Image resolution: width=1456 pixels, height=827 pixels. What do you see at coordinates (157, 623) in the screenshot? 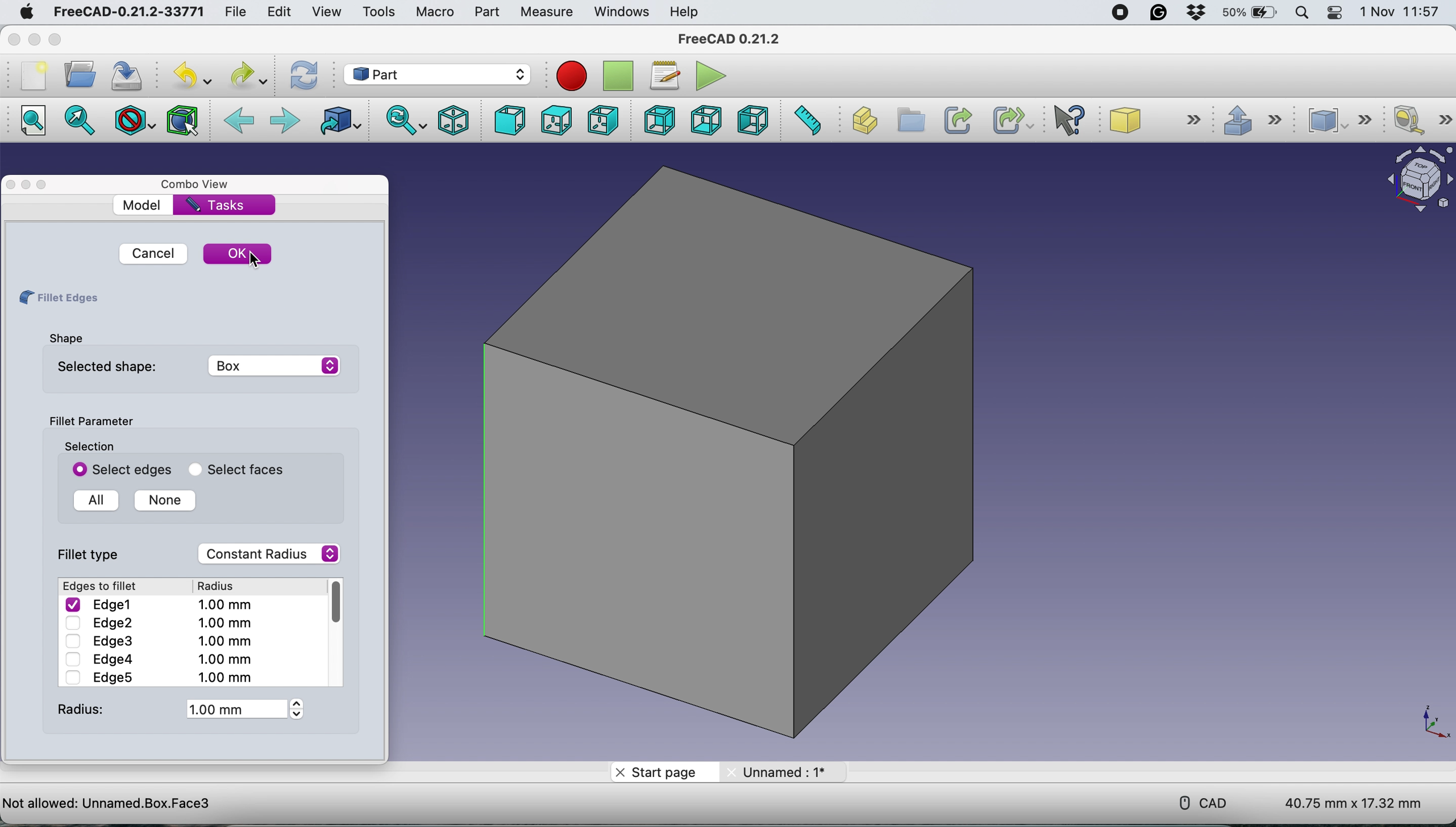
I see `Edge2 ` at bounding box center [157, 623].